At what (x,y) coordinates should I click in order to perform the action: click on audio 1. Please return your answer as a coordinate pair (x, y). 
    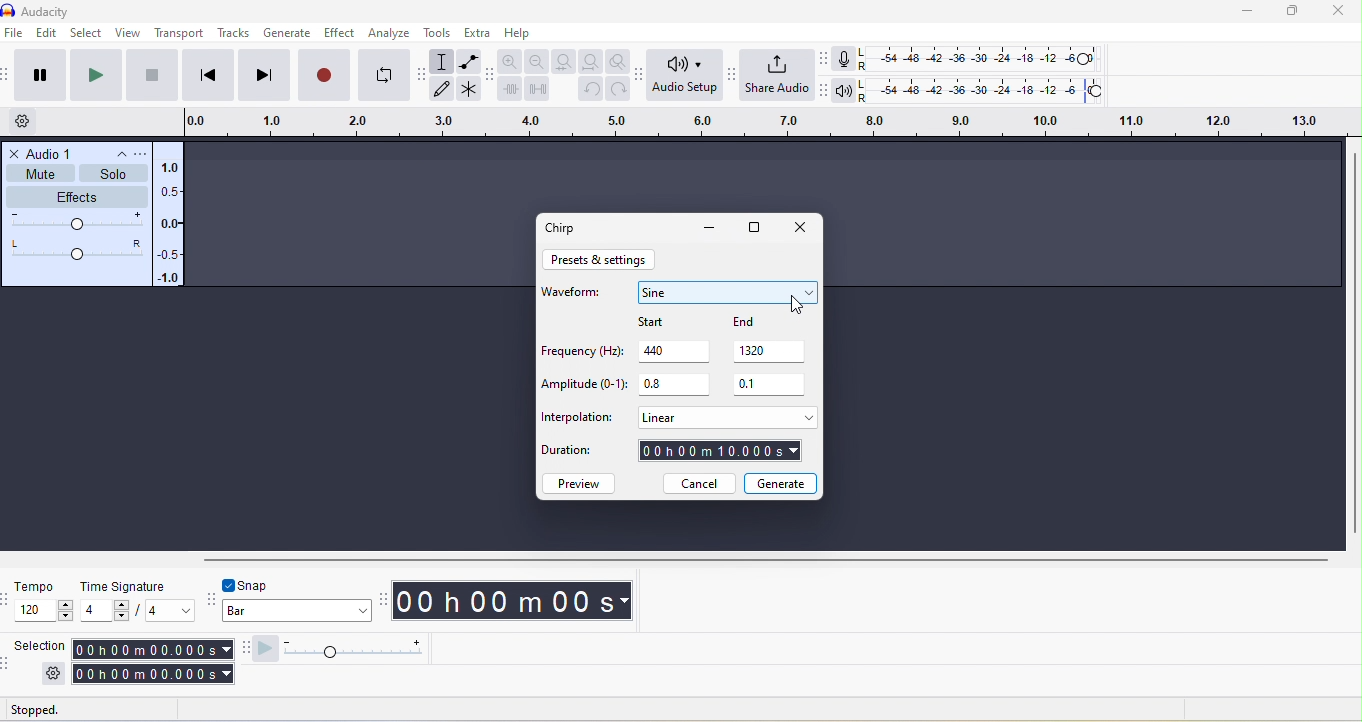
    Looking at the image, I should click on (52, 152).